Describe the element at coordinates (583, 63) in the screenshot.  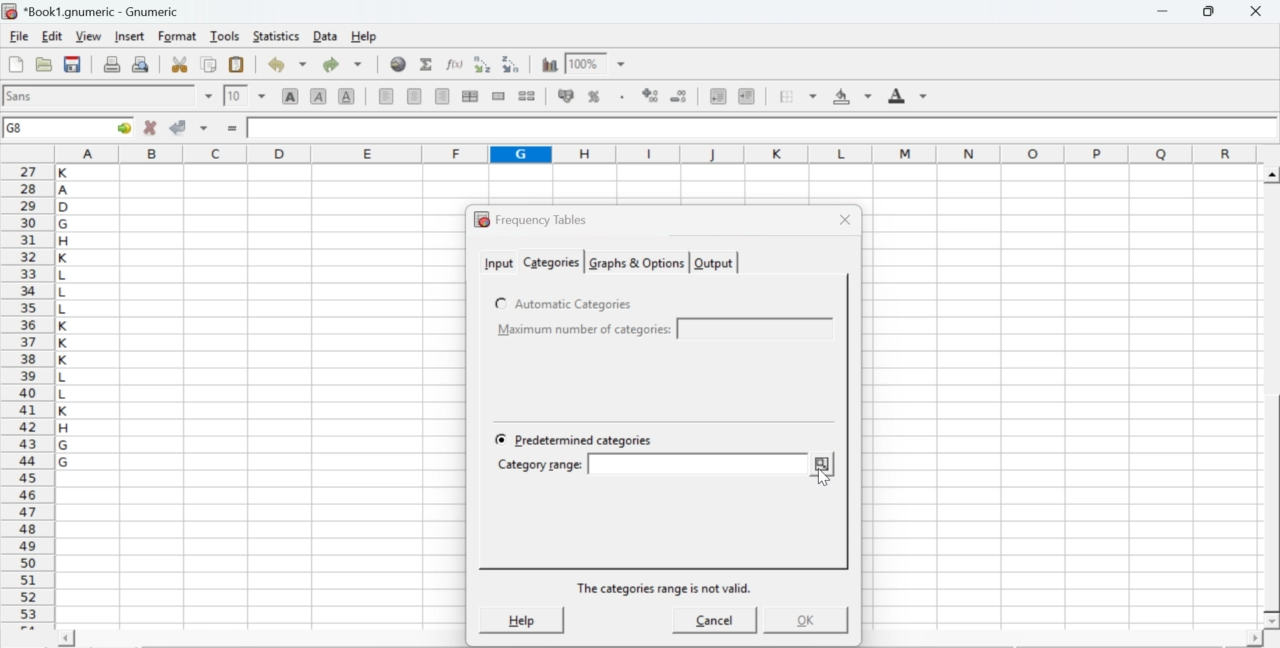
I see `100%` at that location.